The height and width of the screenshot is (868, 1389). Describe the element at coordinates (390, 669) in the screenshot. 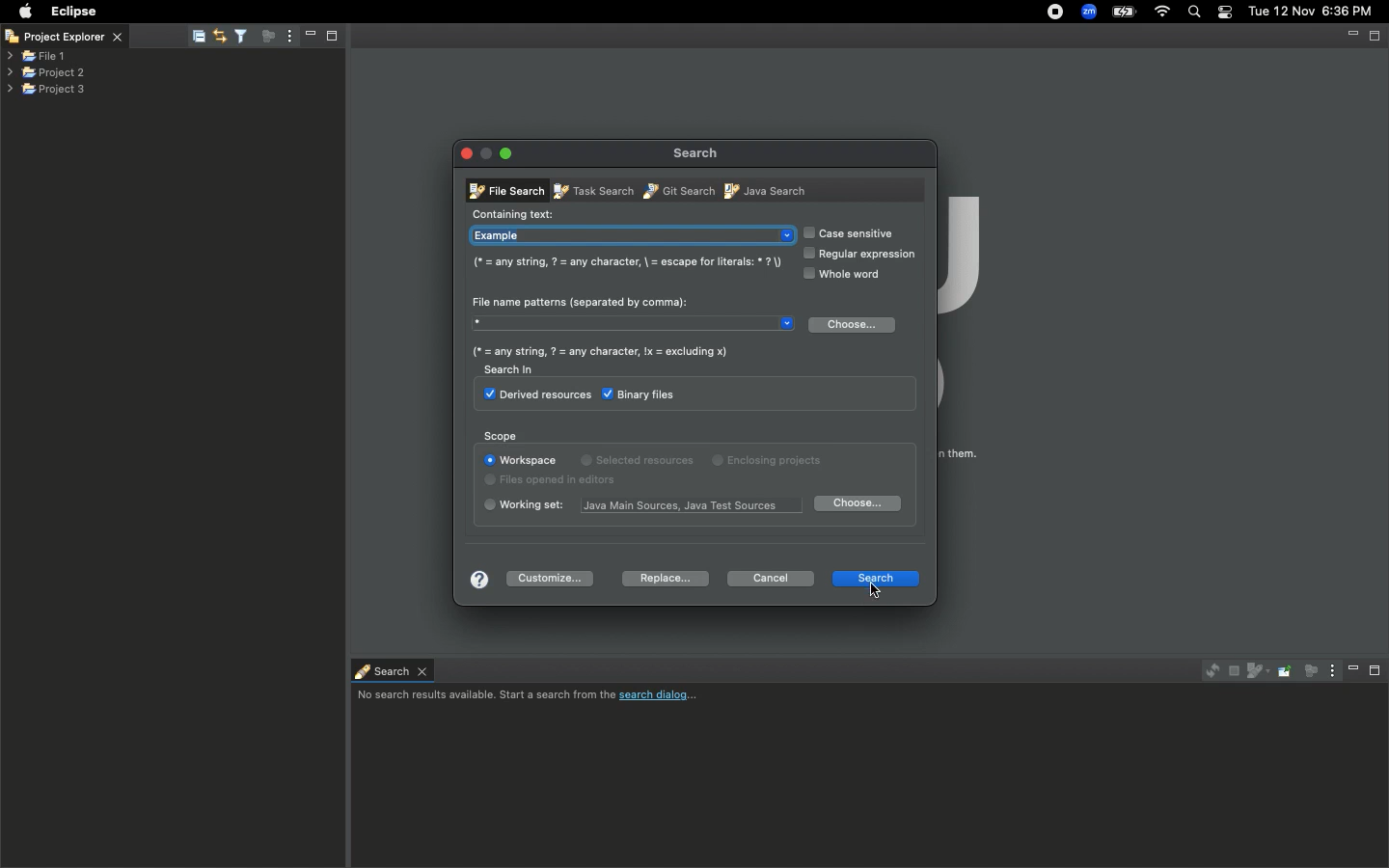

I see `Search` at that location.